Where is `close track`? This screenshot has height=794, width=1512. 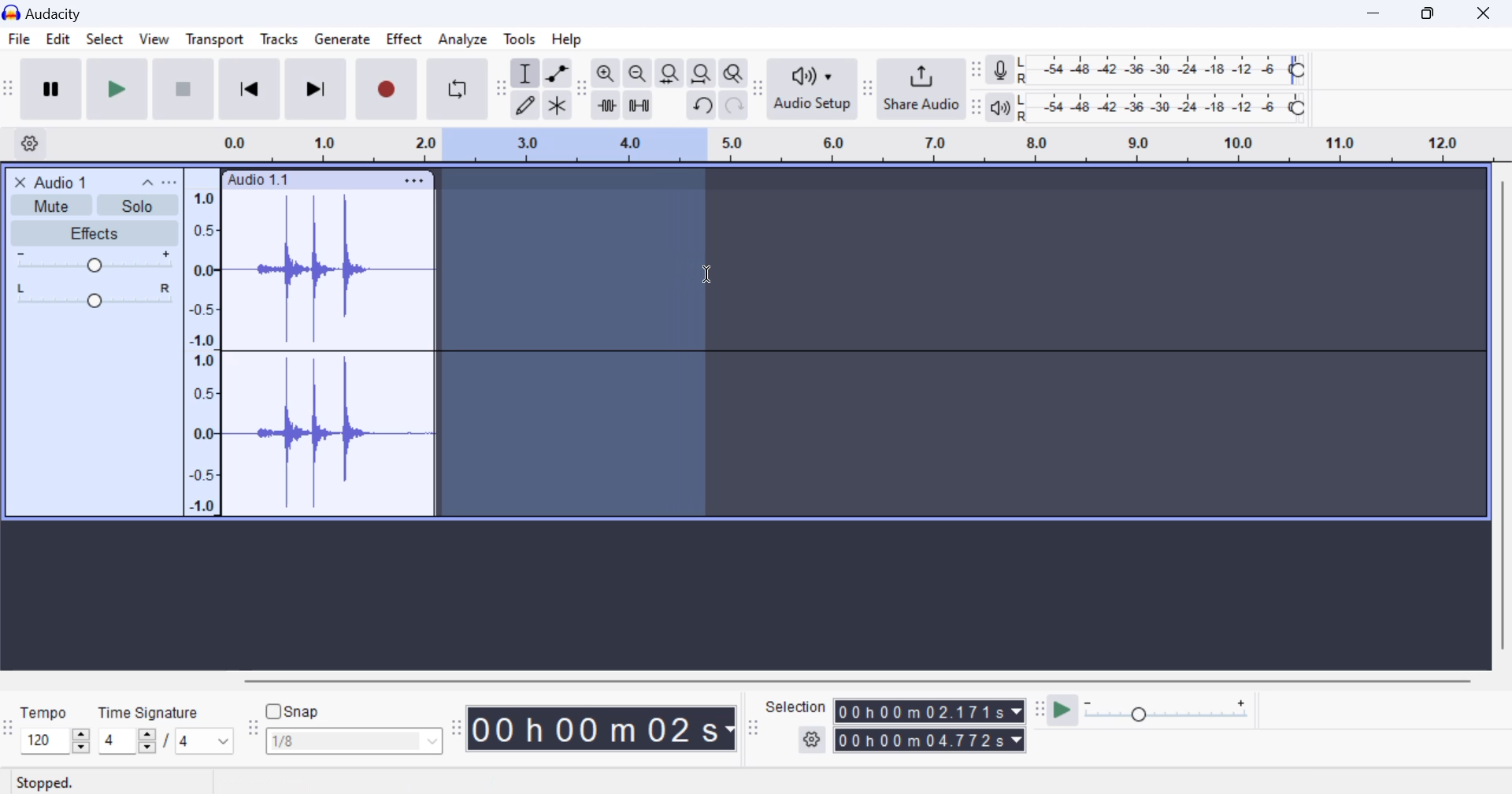
close track is located at coordinates (20, 181).